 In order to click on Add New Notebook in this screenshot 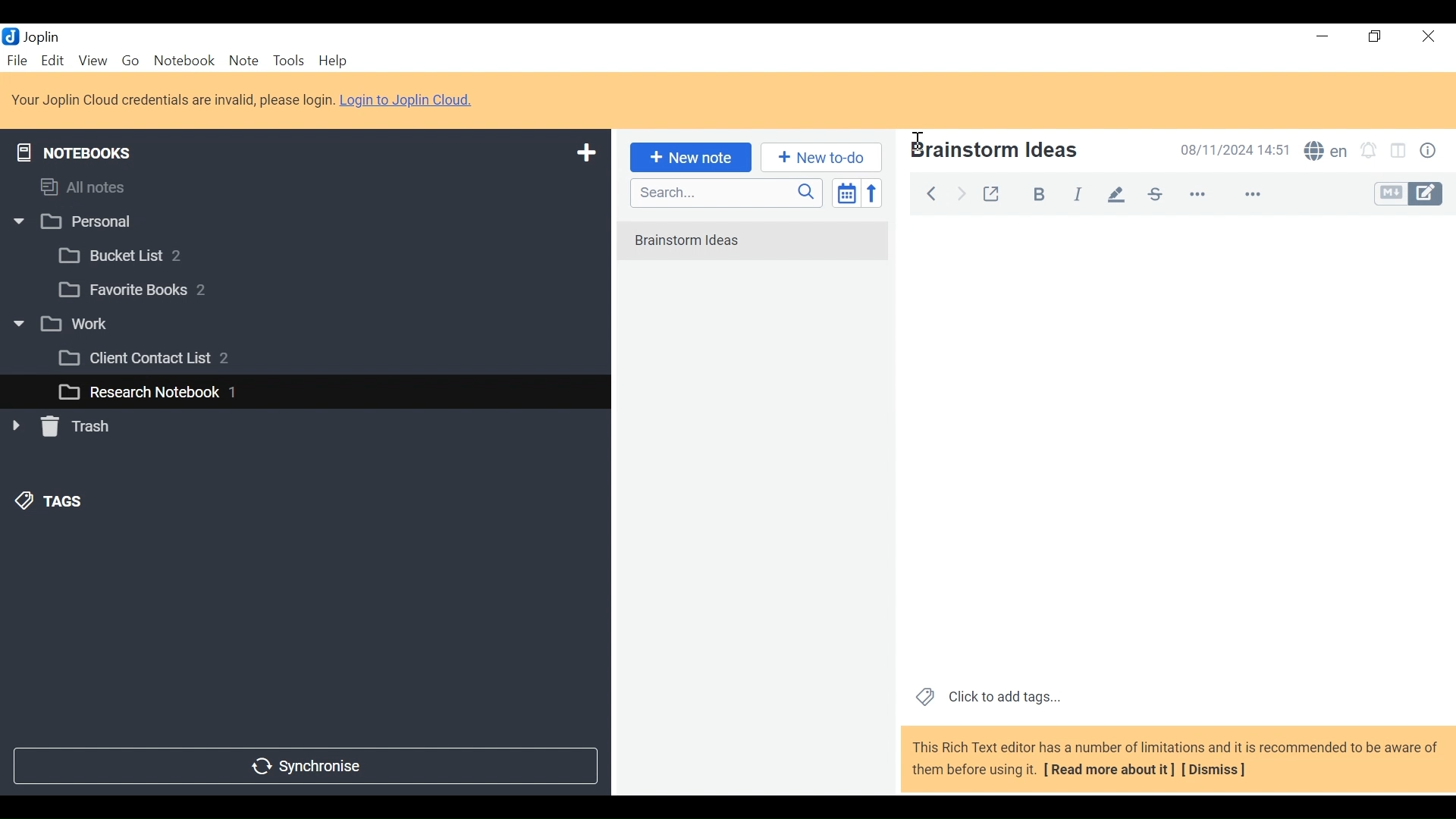, I will do `click(585, 153)`.